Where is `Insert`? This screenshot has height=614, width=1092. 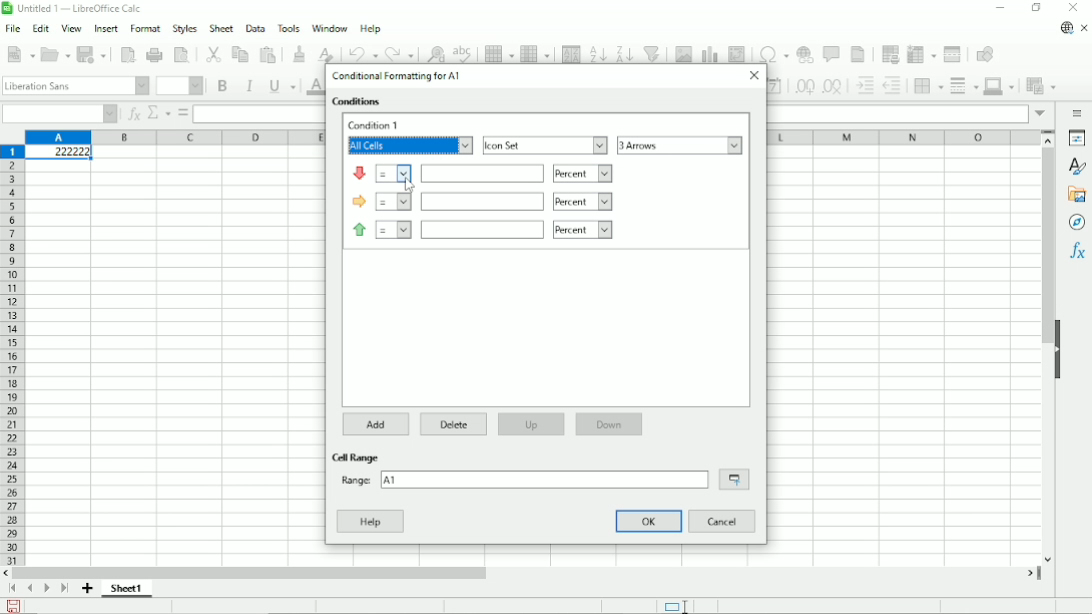
Insert is located at coordinates (104, 29).